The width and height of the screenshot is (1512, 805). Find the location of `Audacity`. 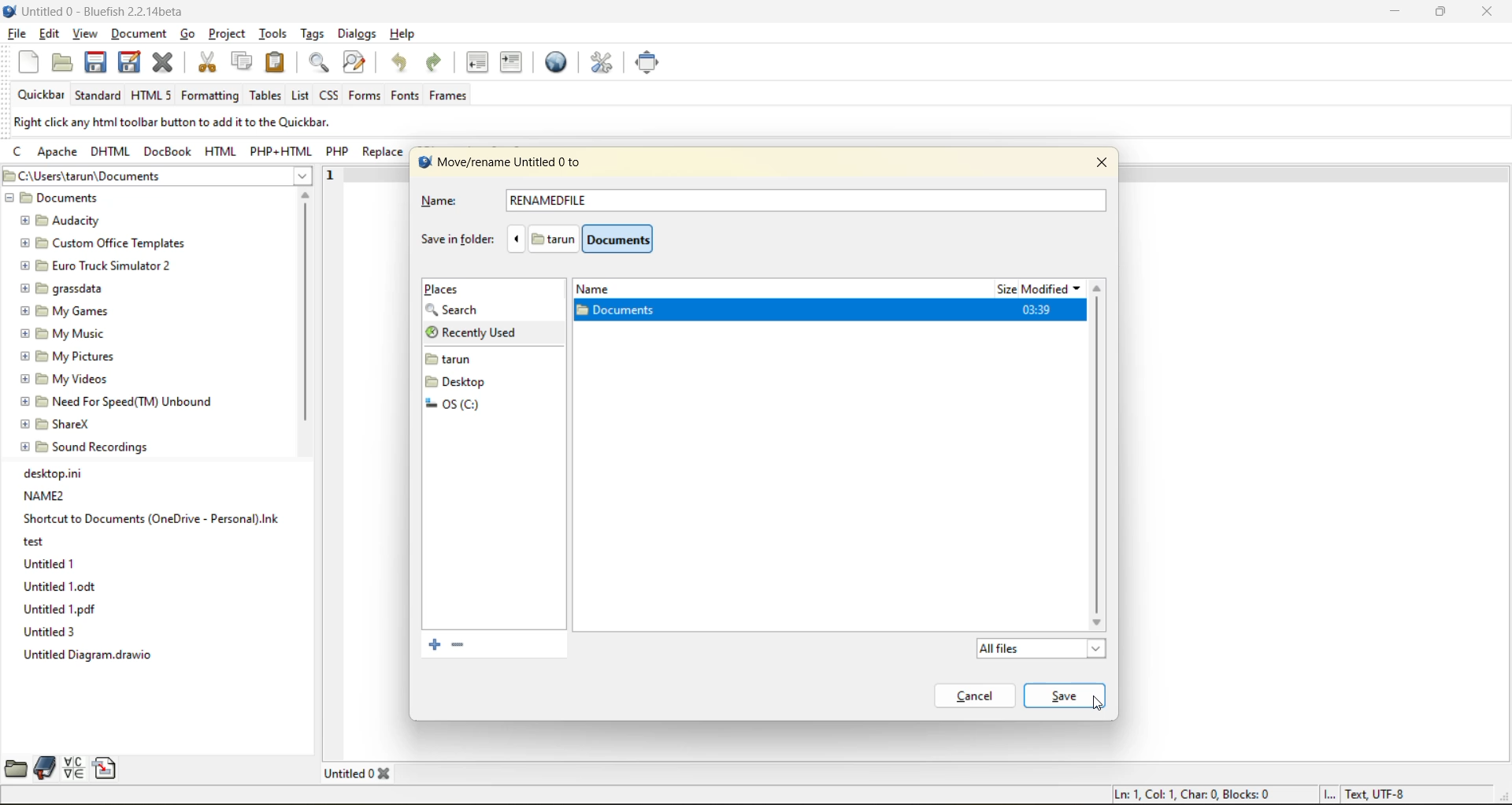

Audacity is located at coordinates (63, 220).